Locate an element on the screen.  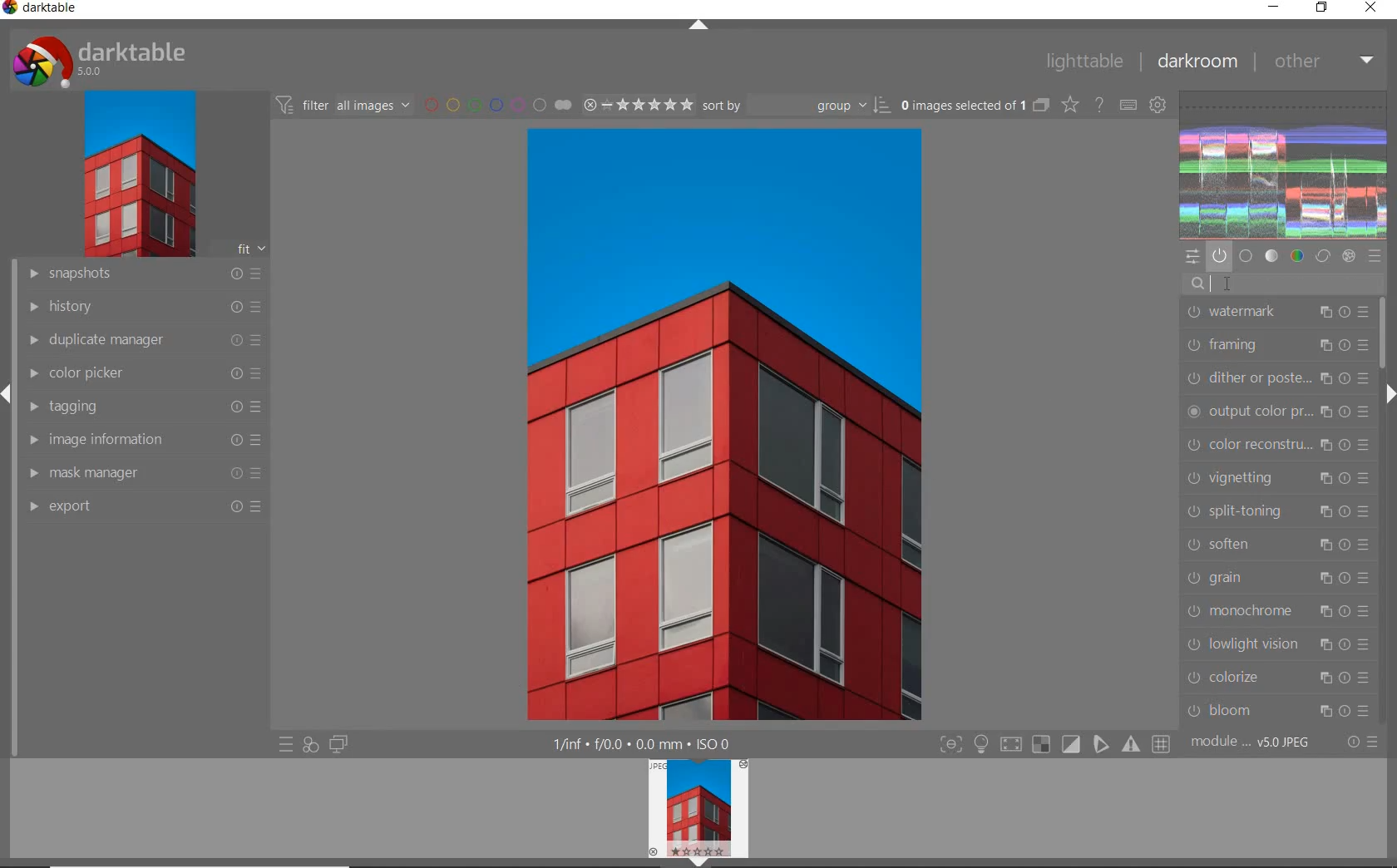
base is located at coordinates (1246, 257).